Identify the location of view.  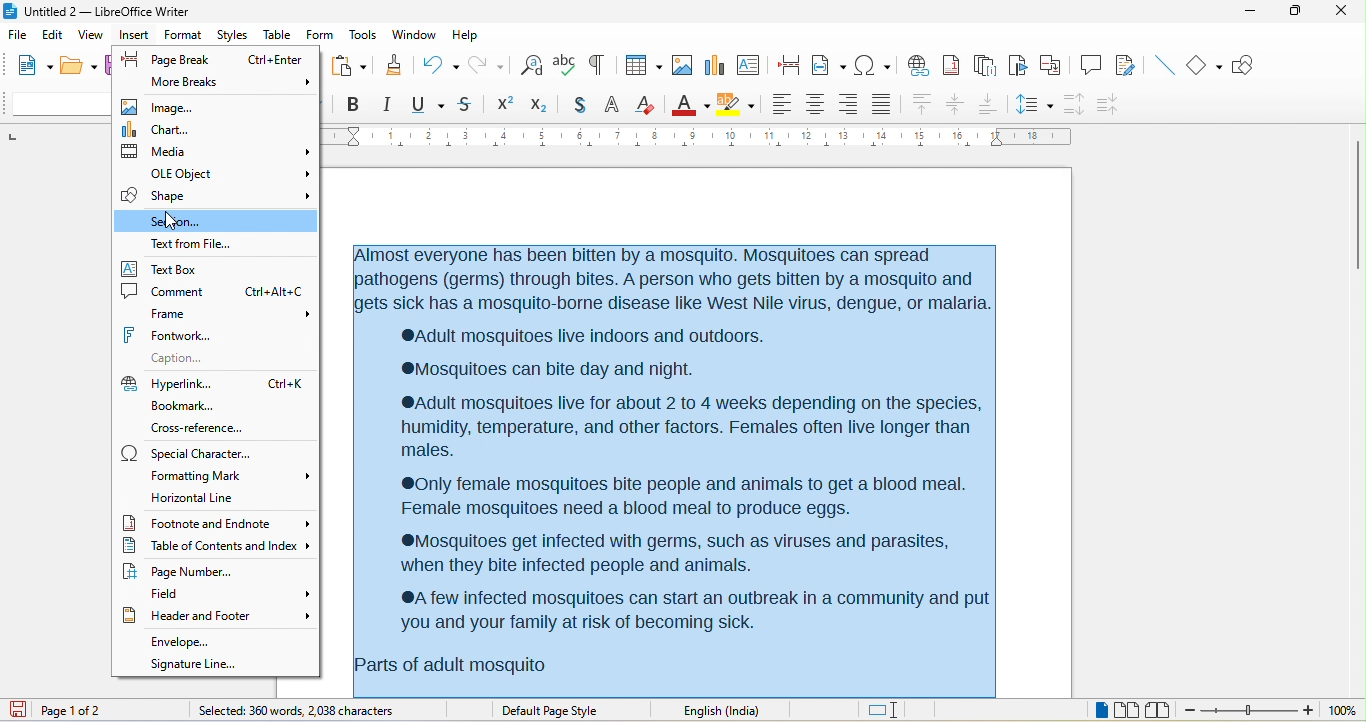
(91, 35).